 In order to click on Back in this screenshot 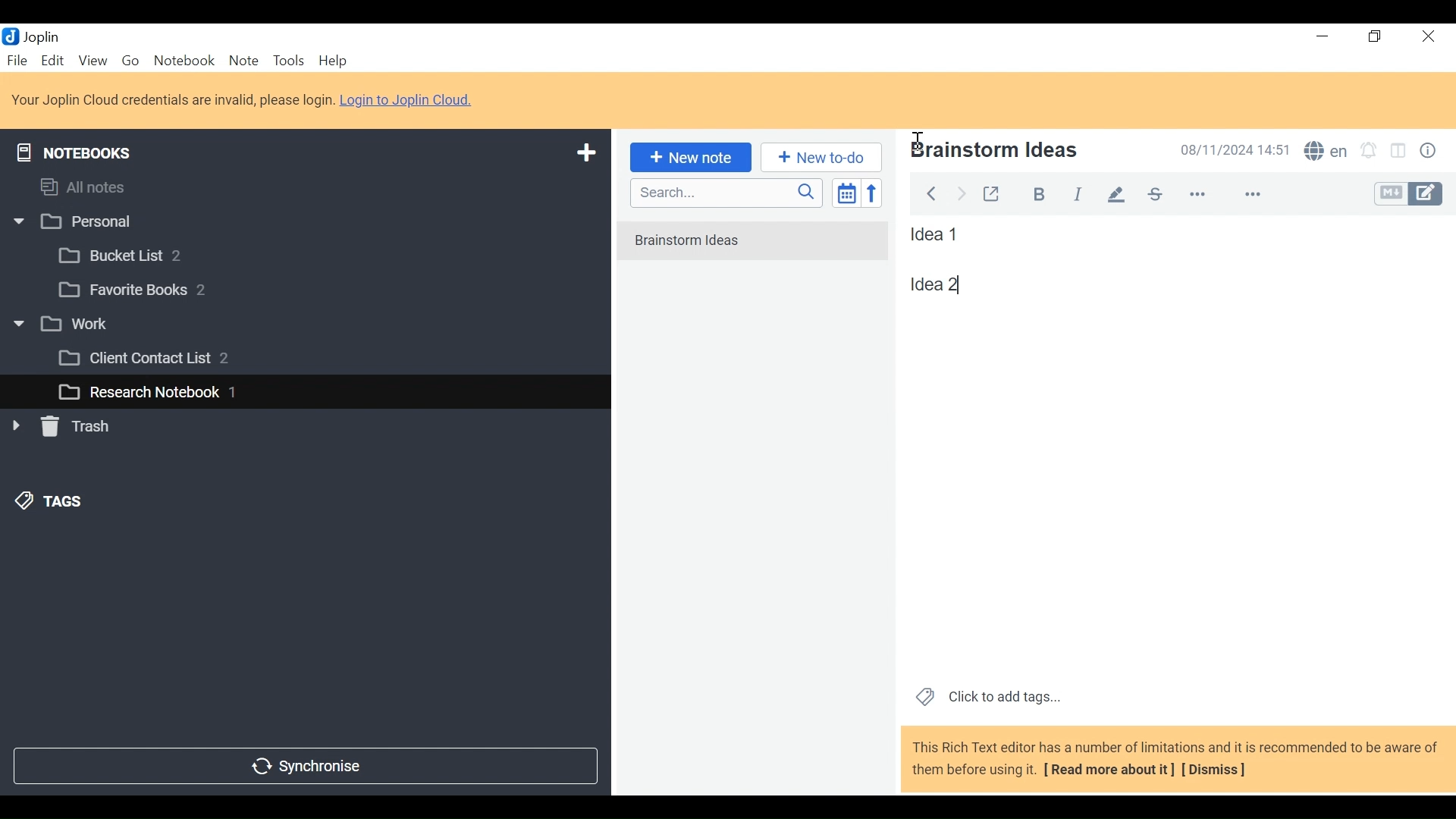, I will do `click(930, 191)`.